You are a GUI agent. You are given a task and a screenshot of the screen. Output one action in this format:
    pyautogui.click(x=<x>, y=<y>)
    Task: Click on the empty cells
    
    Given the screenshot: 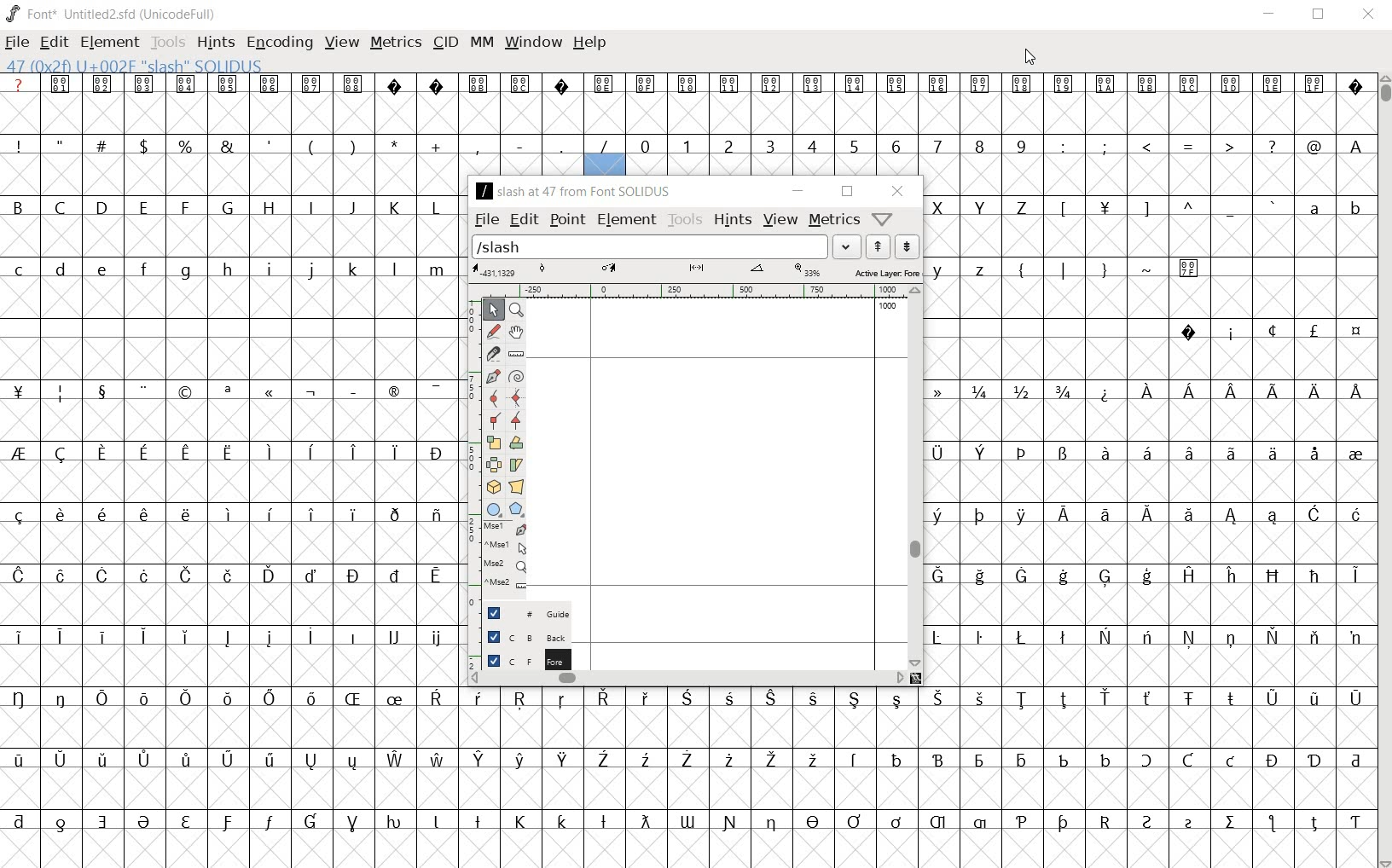 What is the action you would take?
    pyautogui.click(x=1151, y=666)
    